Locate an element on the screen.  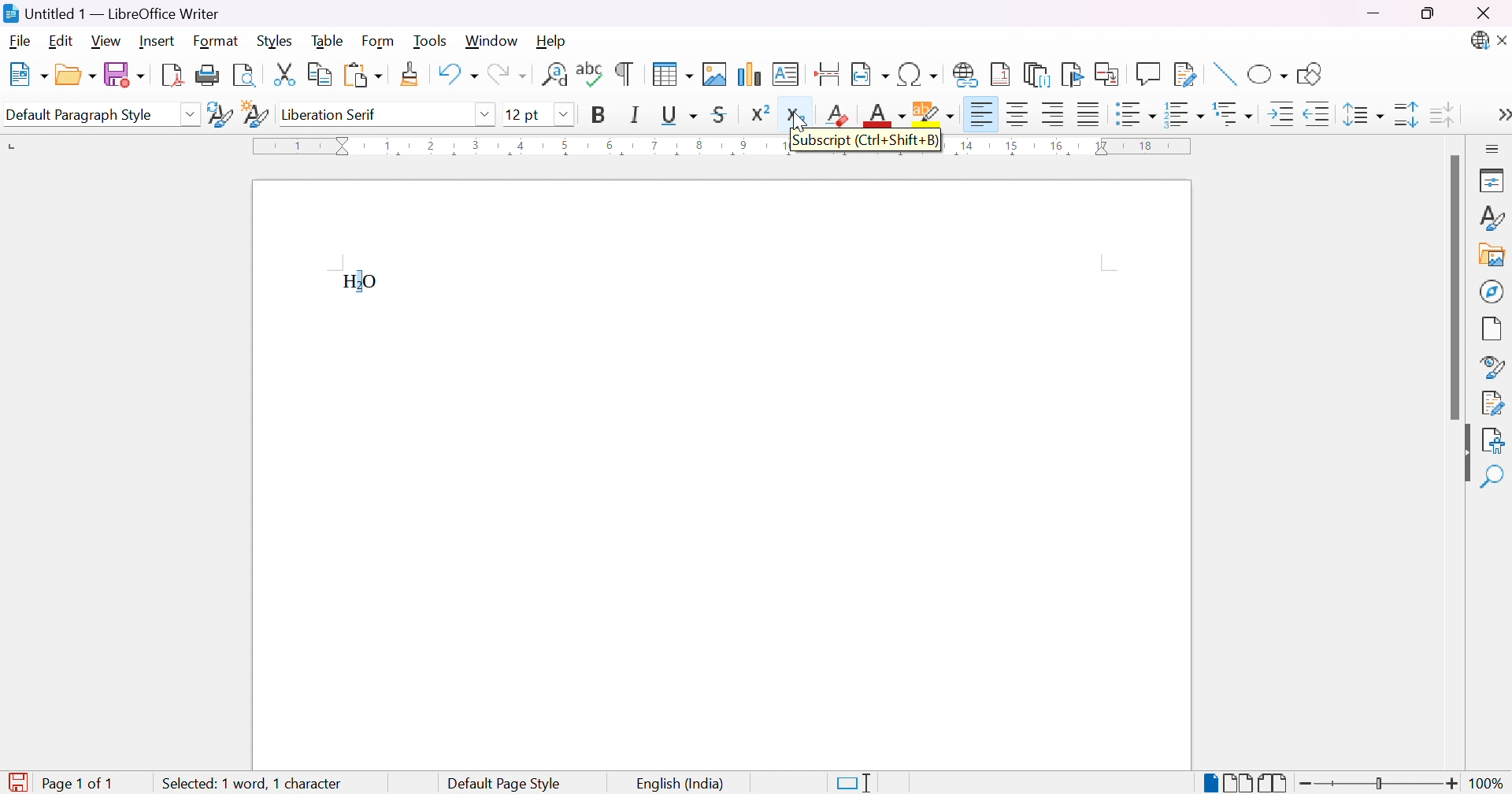
 is located at coordinates (409, 74).